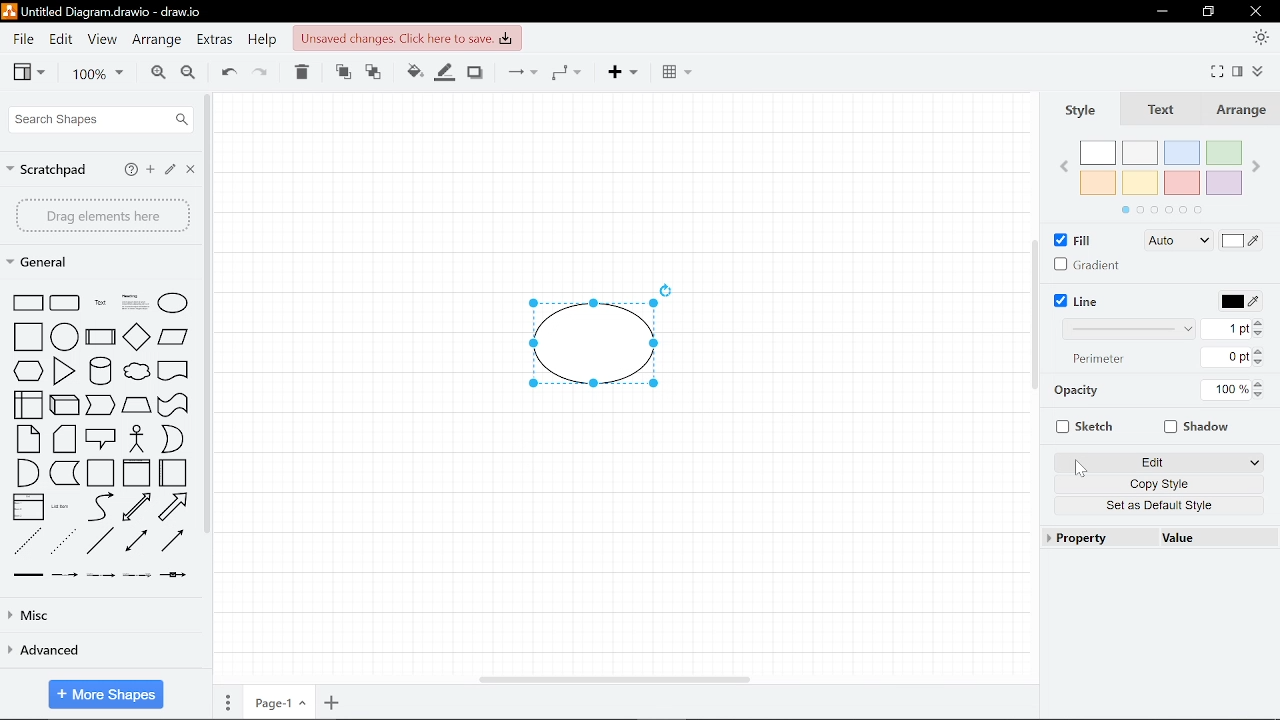 The image size is (1280, 720). What do you see at coordinates (64, 439) in the screenshot?
I see `card` at bounding box center [64, 439].